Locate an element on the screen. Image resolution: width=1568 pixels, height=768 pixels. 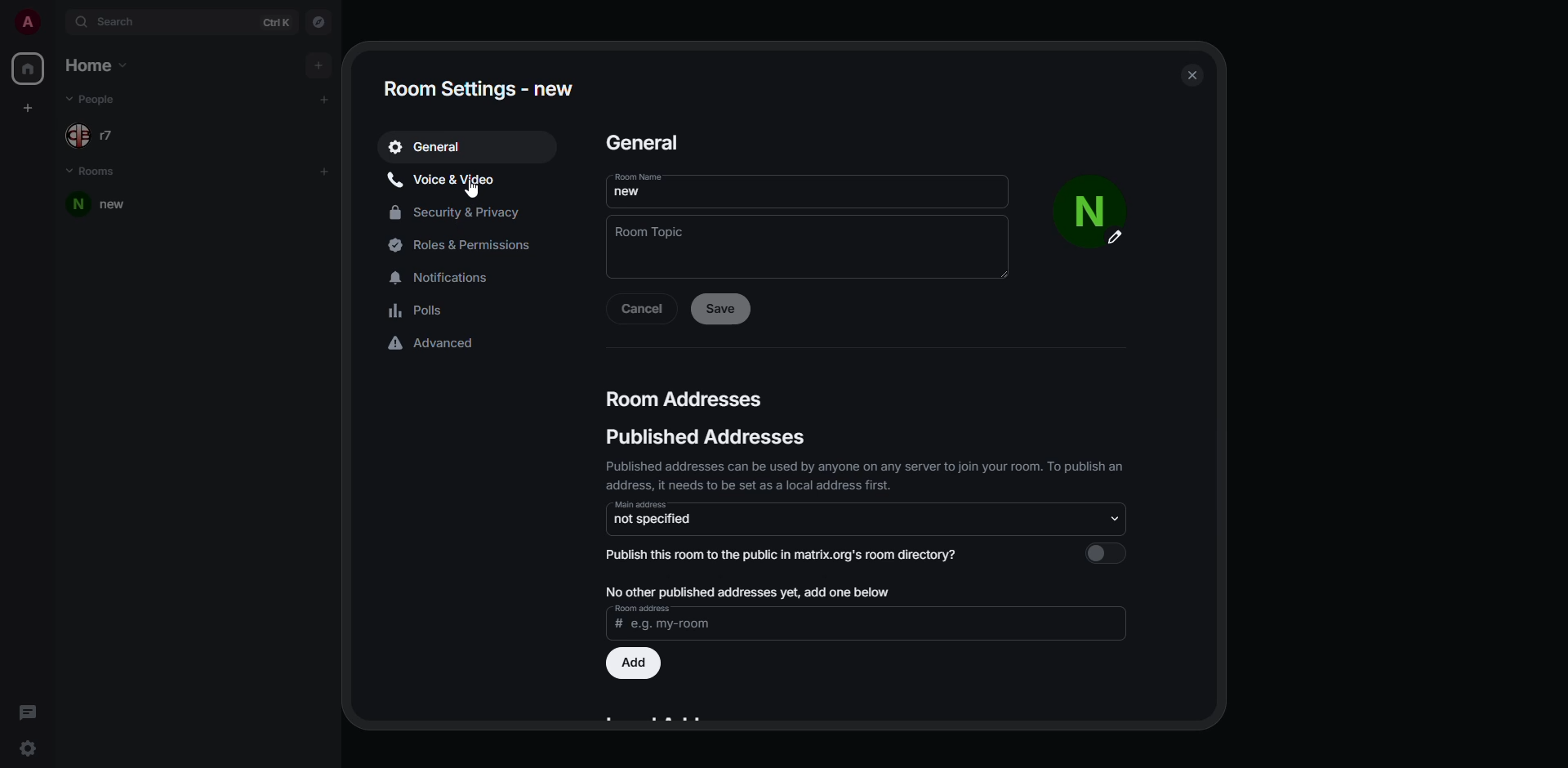
room address is located at coordinates (670, 618).